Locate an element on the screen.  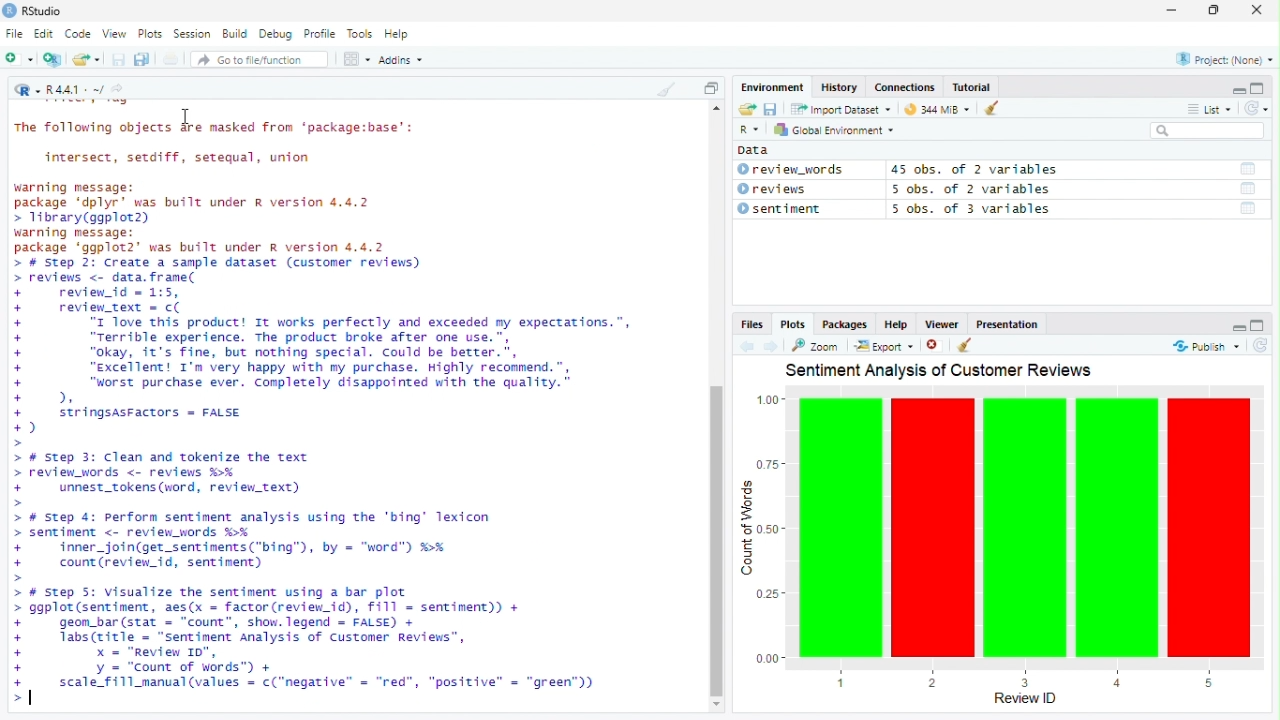
Scroll is located at coordinates (716, 410).